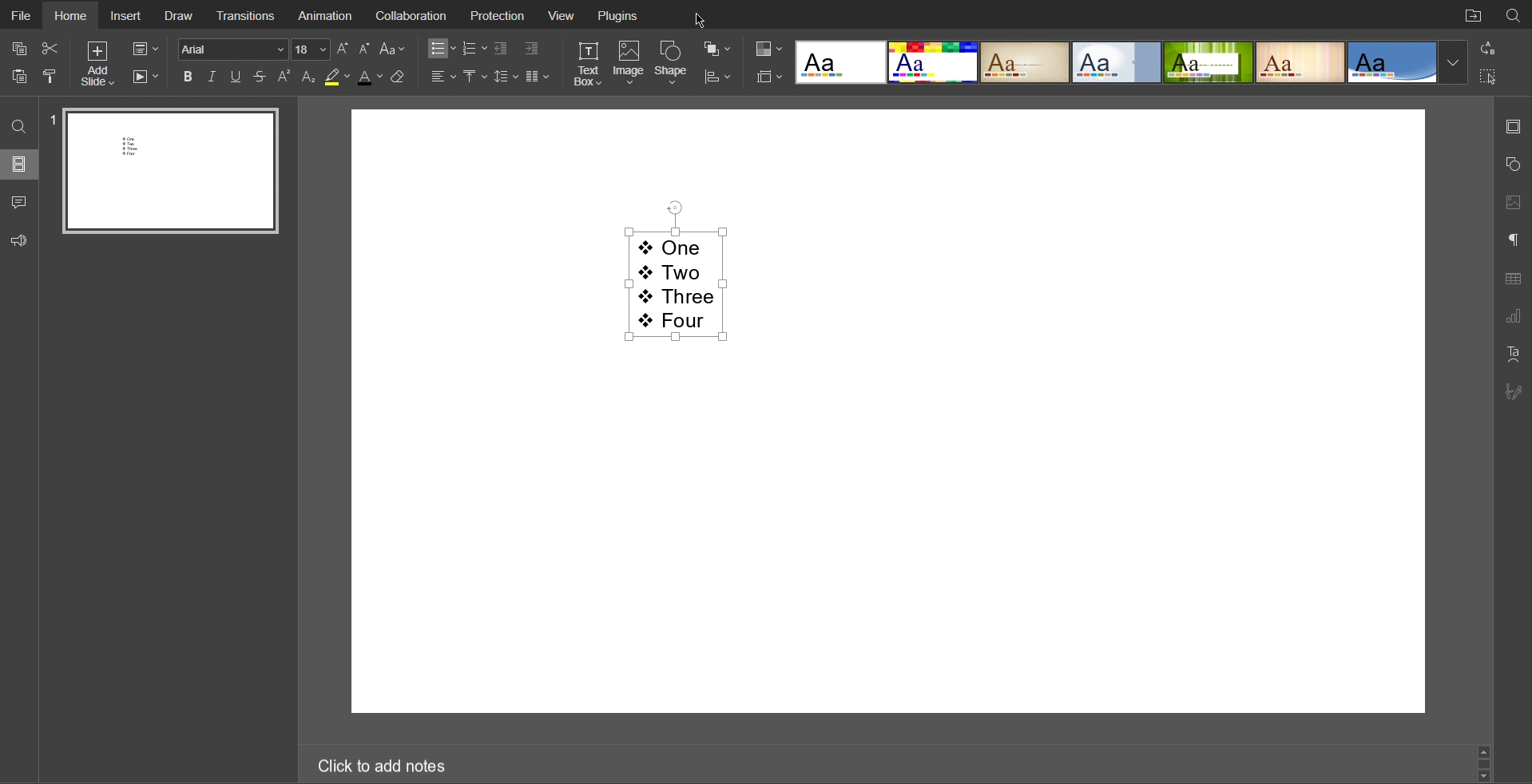 The image size is (1532, 784). What do you see at coordinates (70, 15) in the screenshot?
I see `Home` at bounding box center [70, 15].